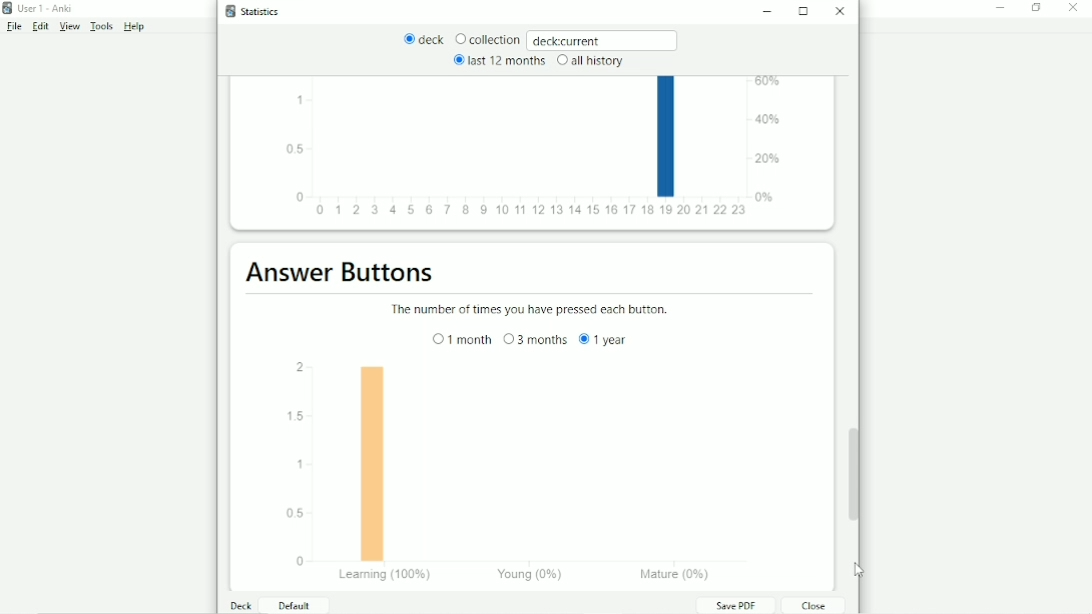 The width and height of the screenshot is (1092, 614). What do you see at coordinates (771, 13) in the screenshot?
I see `Minimize` at bounding box center [771, 13].